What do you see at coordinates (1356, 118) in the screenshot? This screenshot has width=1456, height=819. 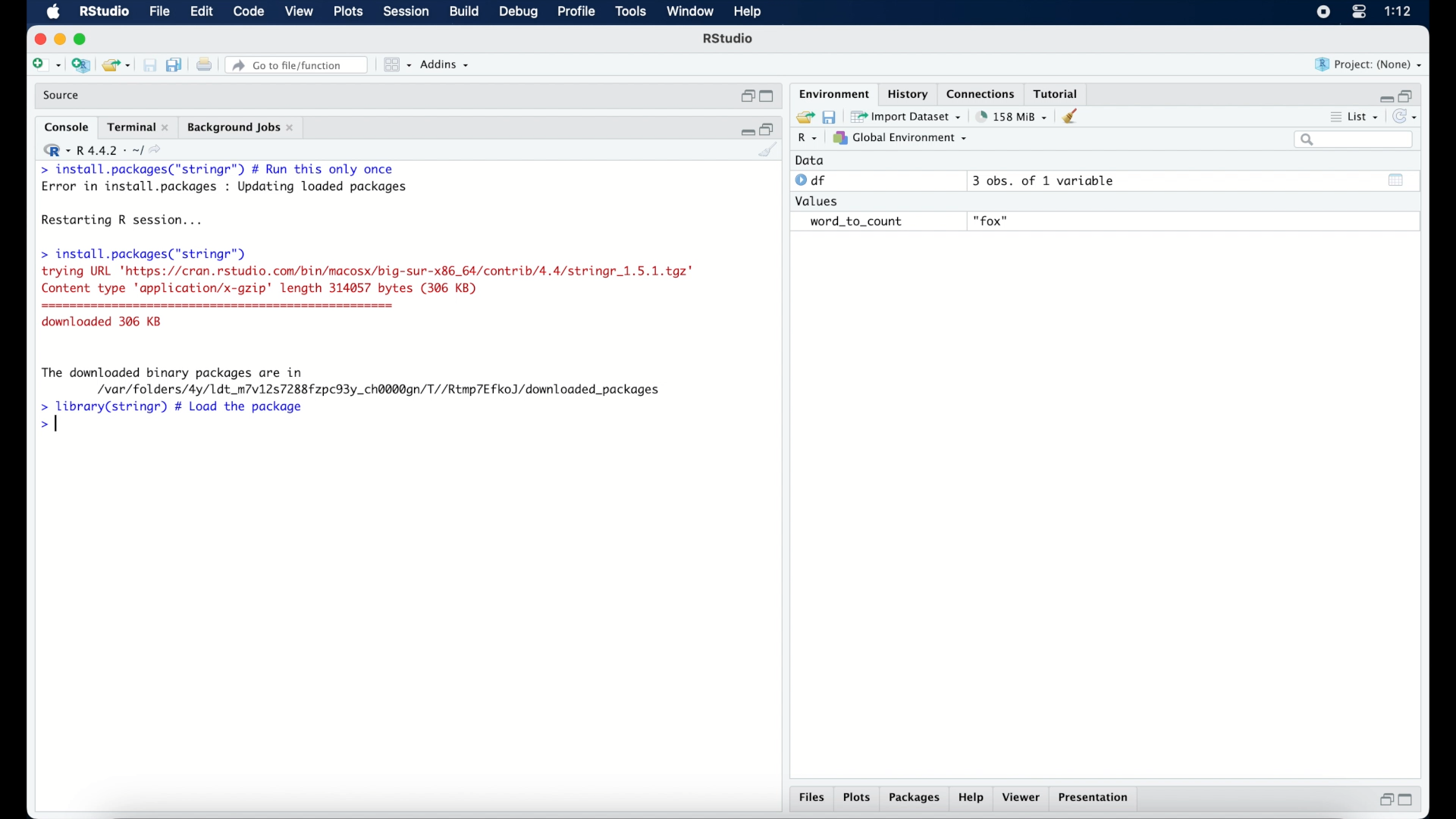 I see `list` at bounding box center [1356, 118].